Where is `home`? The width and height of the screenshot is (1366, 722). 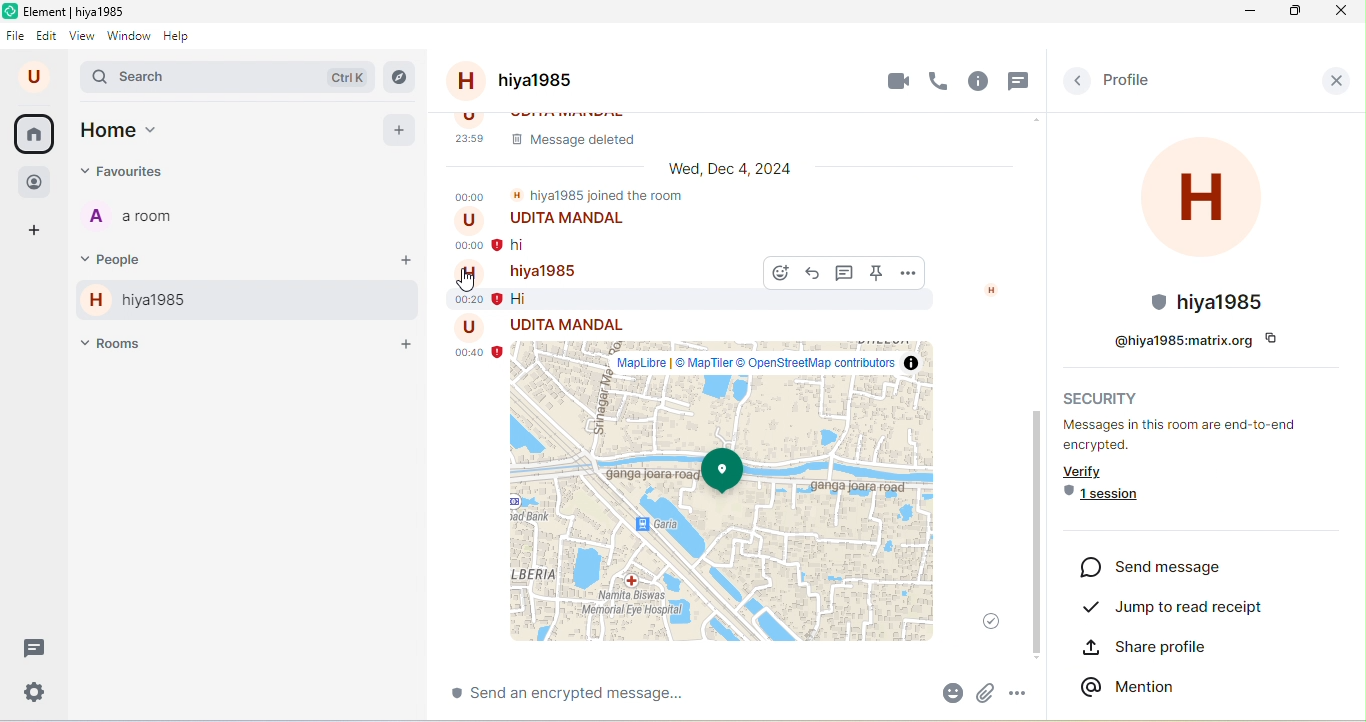
home is located at coordinates (123, 131).